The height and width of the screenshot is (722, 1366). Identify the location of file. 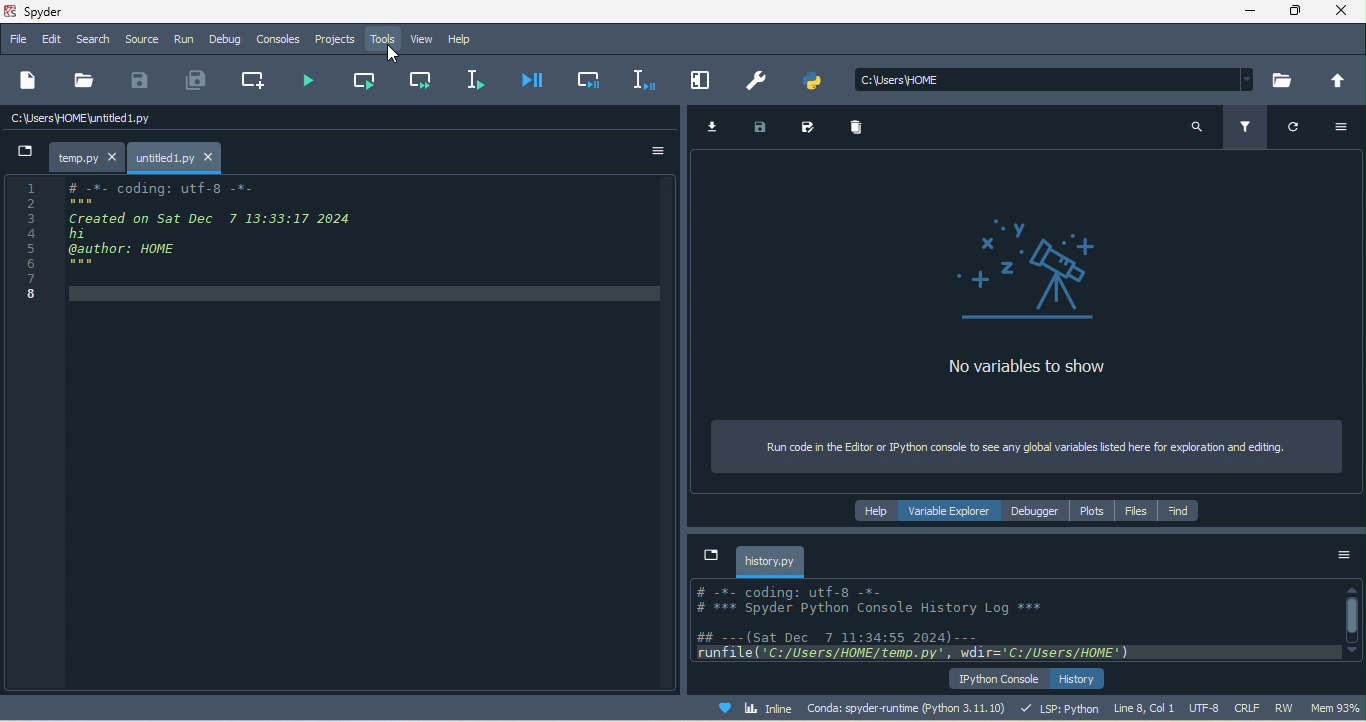
(17, 39).